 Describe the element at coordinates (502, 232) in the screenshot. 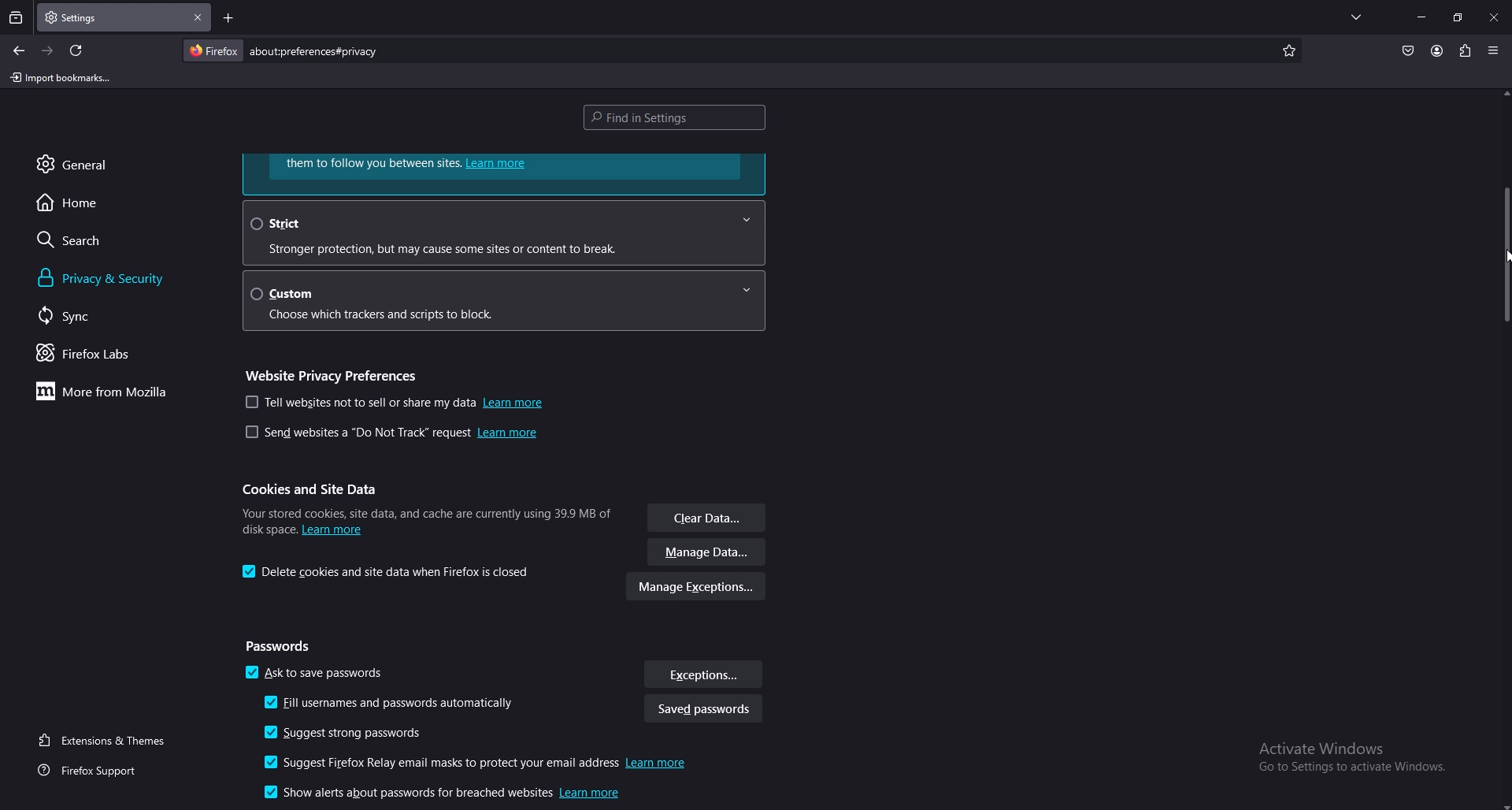

I see `strict` at that location.